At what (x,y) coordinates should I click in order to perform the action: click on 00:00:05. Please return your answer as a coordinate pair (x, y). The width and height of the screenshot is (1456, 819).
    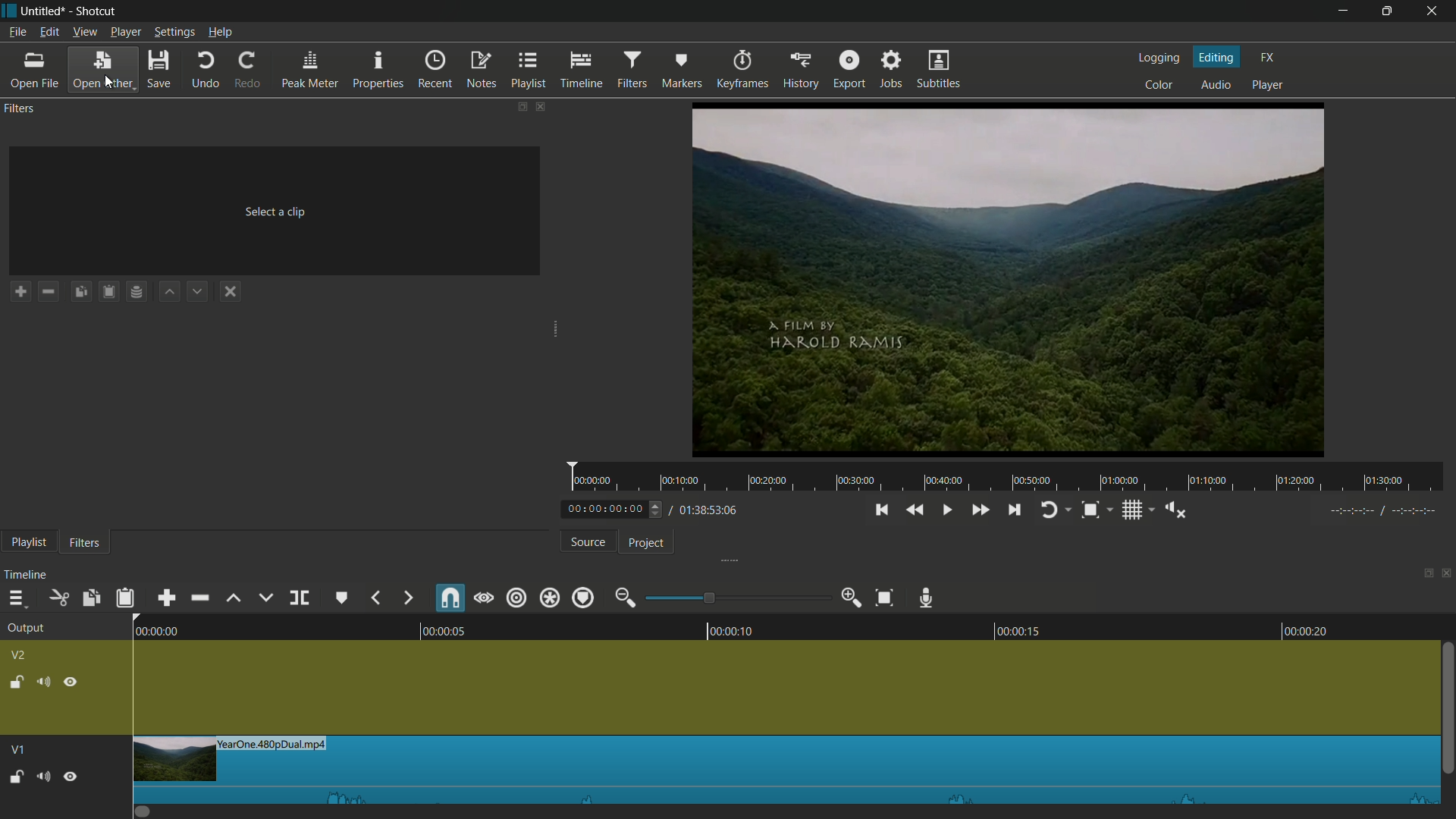
    Looking at the image, I should click on (435, 628).